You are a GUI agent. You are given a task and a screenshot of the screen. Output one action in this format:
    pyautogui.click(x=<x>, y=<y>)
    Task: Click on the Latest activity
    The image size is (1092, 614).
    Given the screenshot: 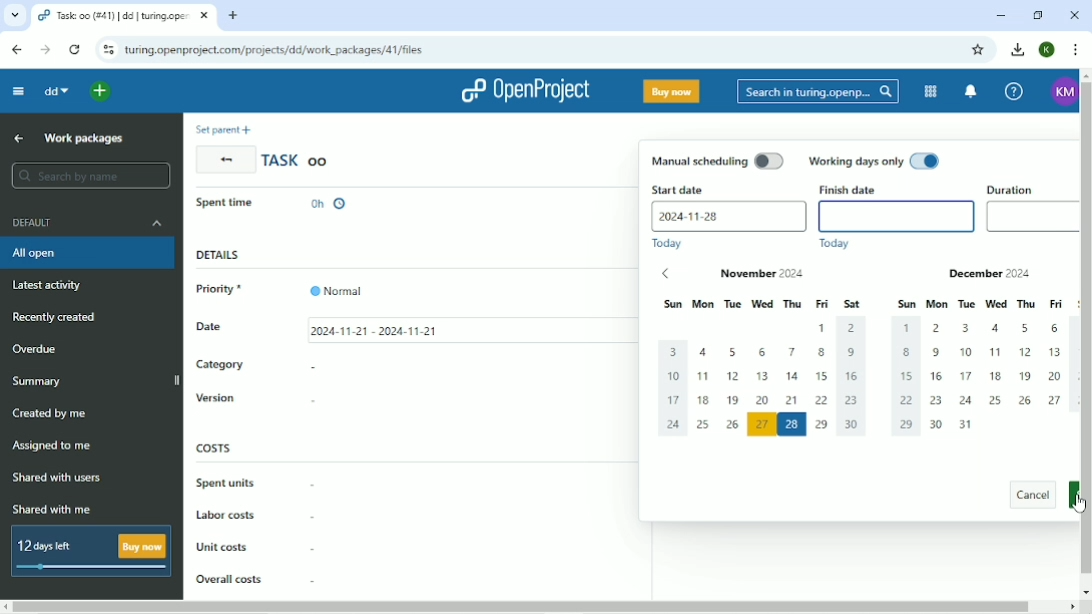 What is the action you would take?
    pyautogui.click(x=51, y=284)
    